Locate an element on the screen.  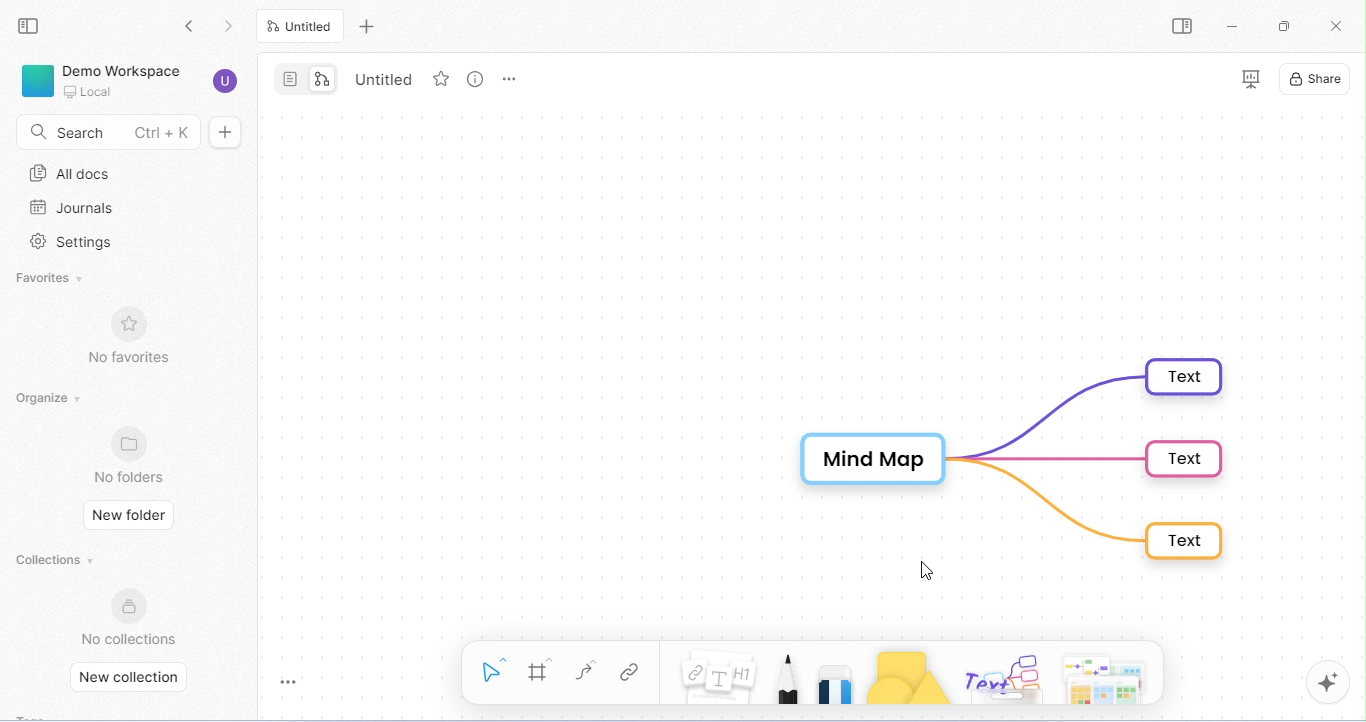
close is located at coordinates (1339, 28).